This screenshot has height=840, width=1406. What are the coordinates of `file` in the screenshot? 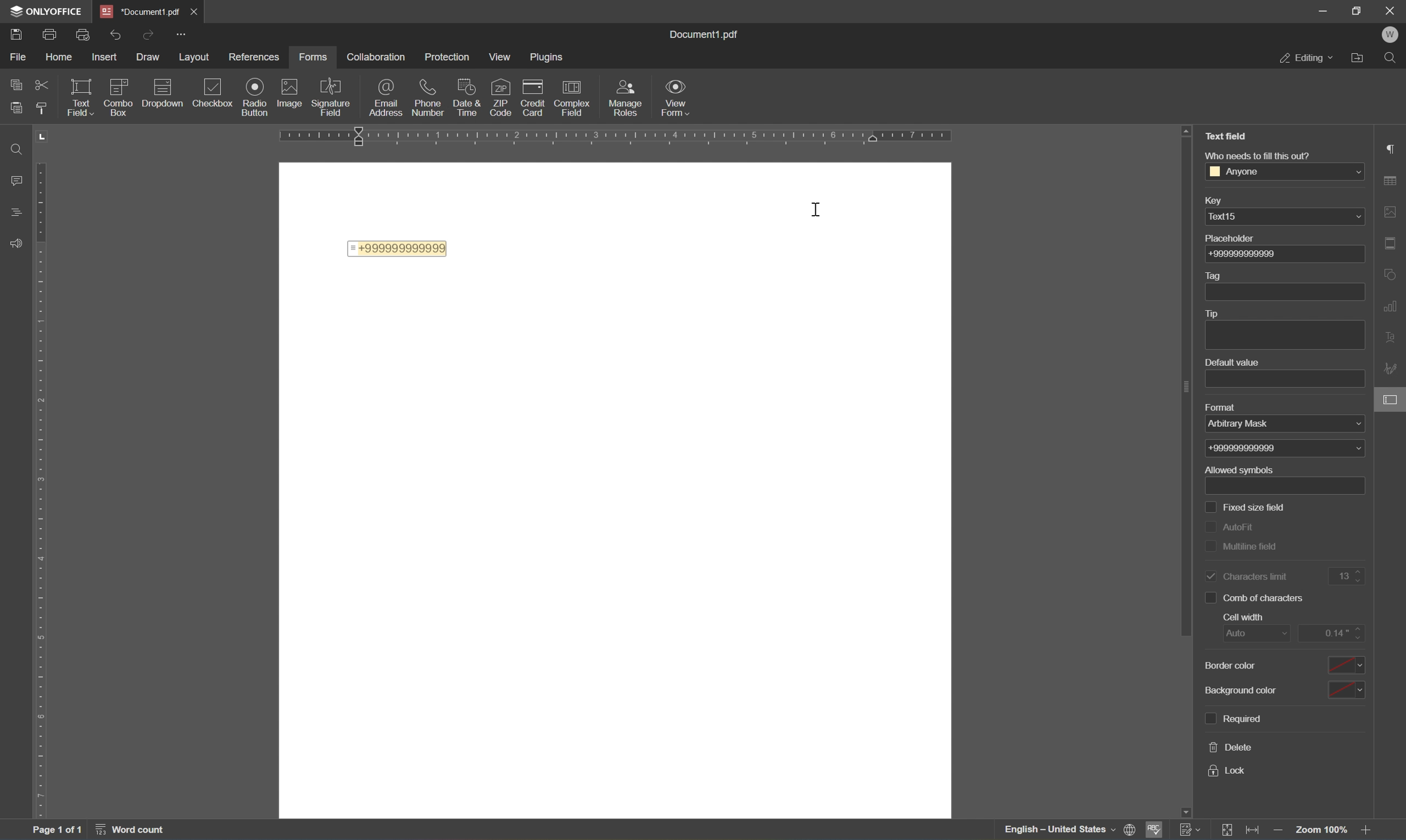 It's located at (20, 58).